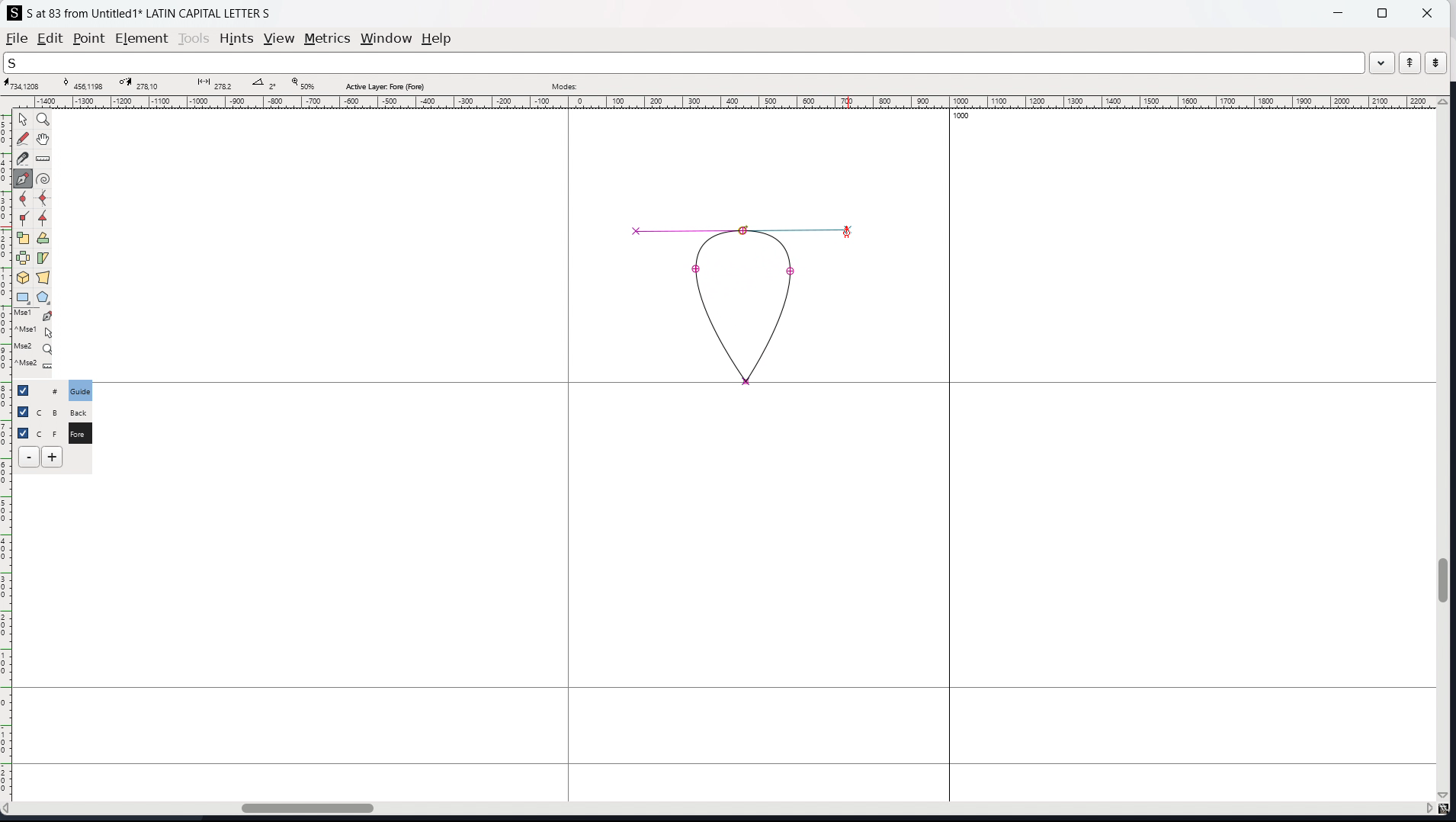  I want to click on add a tangent point, so click(43, 219).